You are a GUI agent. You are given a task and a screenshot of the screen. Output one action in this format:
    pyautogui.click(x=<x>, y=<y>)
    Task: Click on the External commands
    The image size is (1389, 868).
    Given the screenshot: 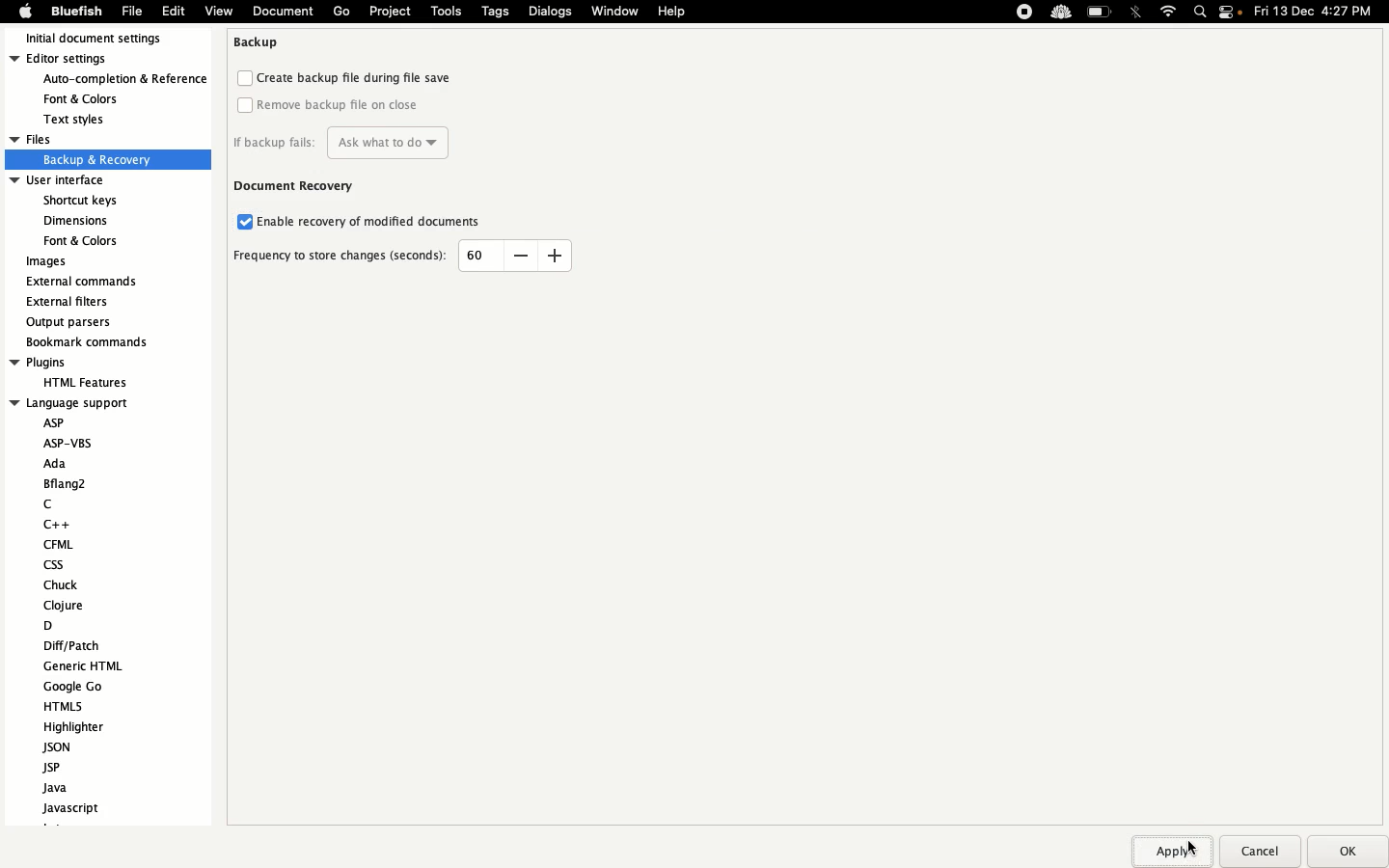 What is the action you would take?
    pyautogui.click(x=91, y=282)
    